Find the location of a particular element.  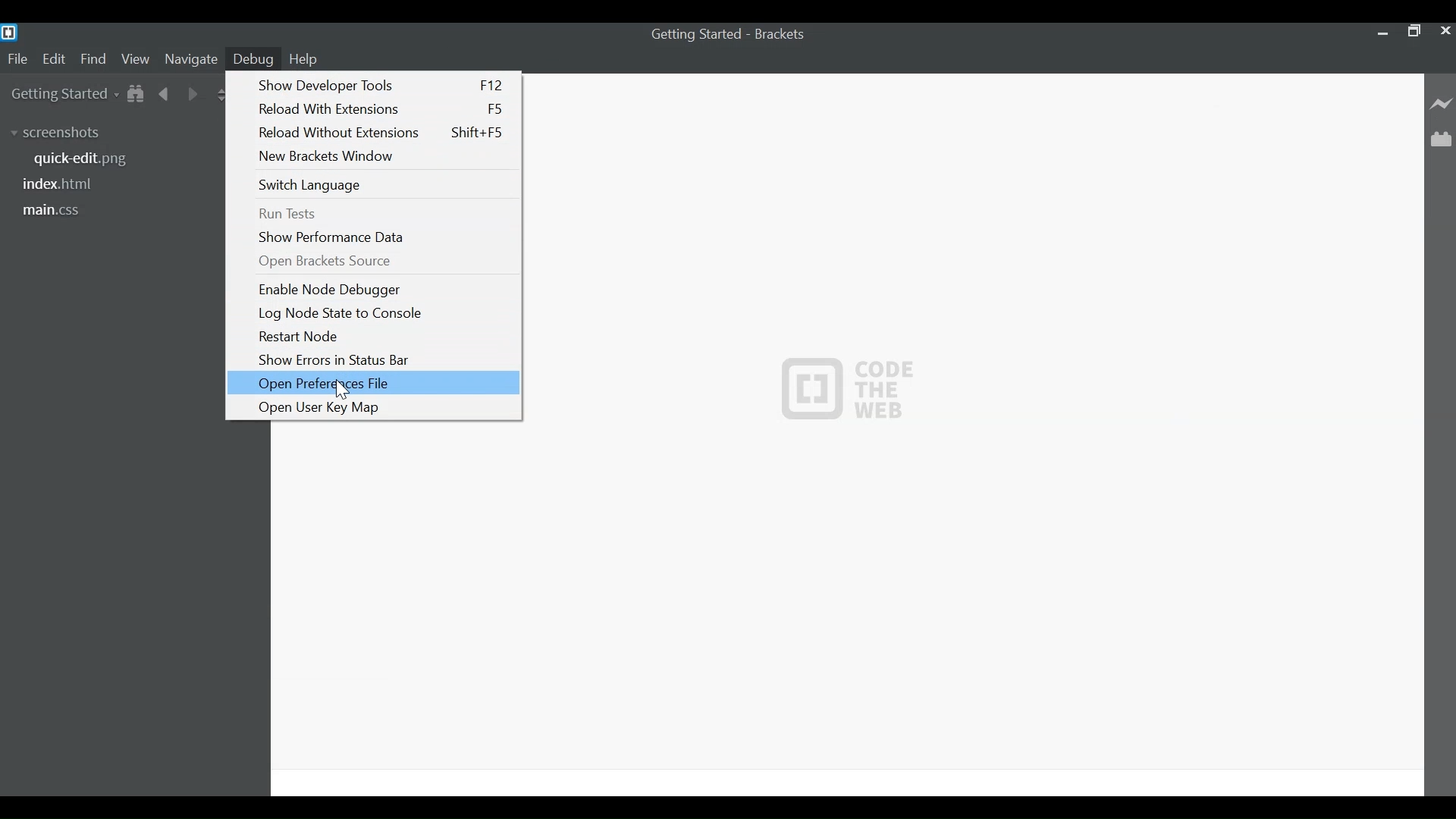

Show Performance Data is located at coordinates (381, 238).